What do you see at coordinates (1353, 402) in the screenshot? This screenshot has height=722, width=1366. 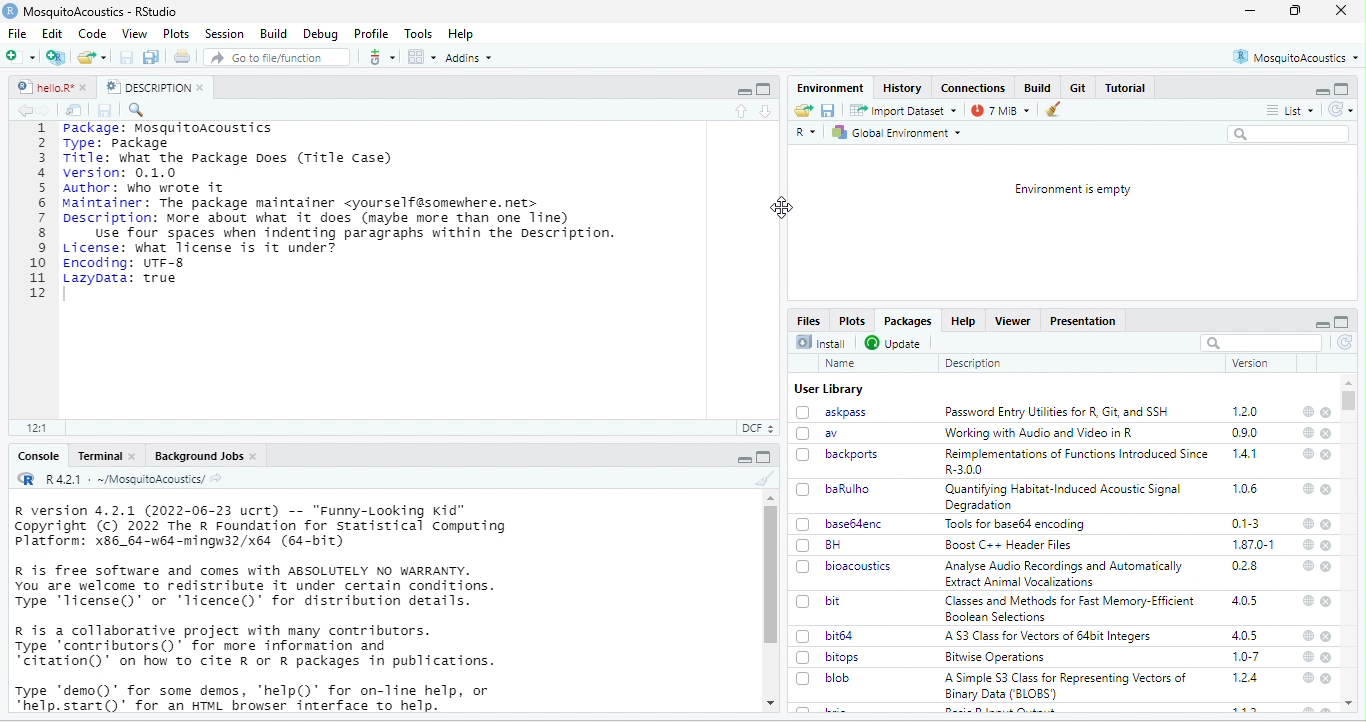 I see `scroll bar` at bounding box center [1353, 402].